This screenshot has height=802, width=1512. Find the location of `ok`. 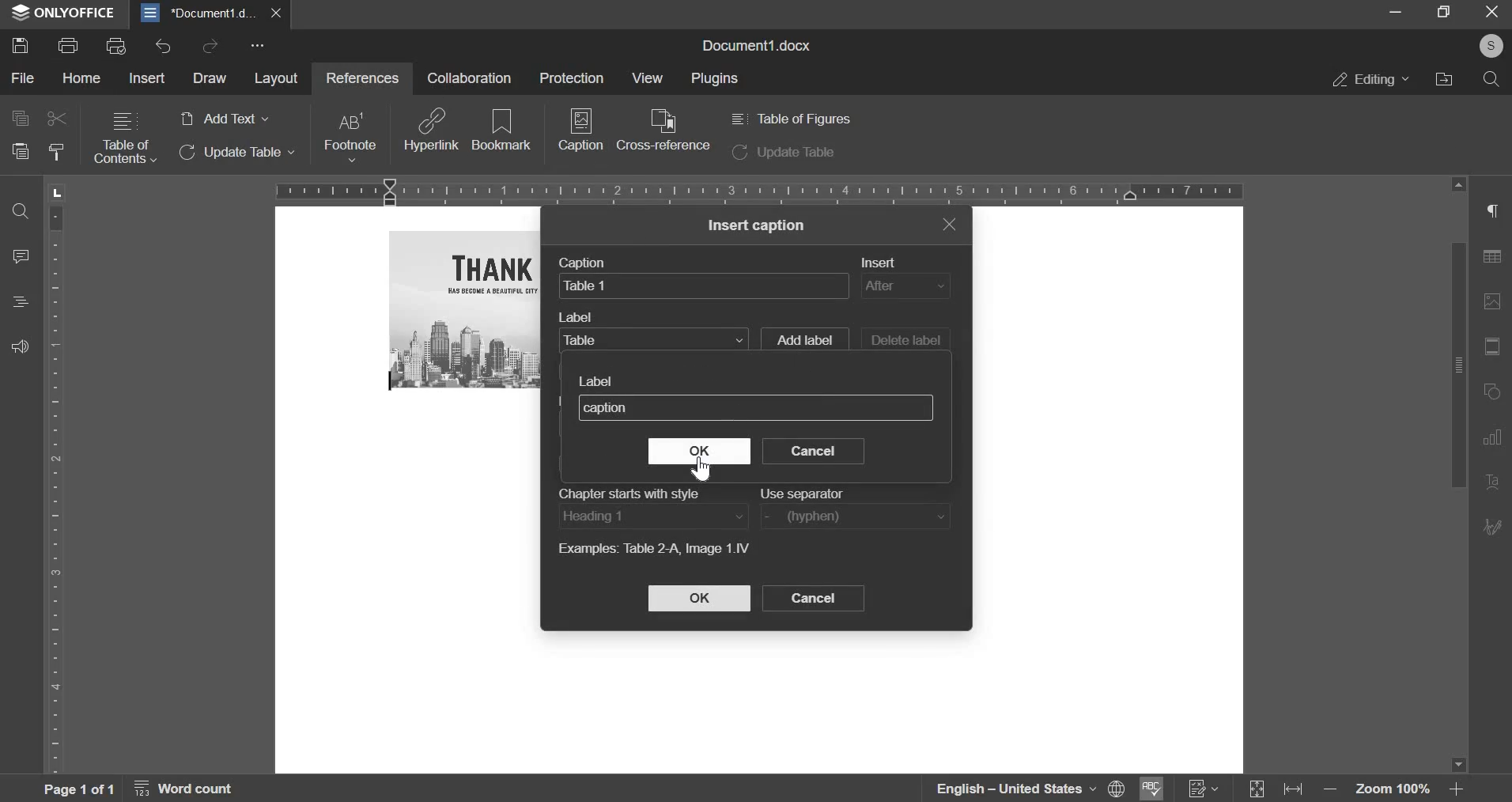

ok is located at coordinates (699, 598).